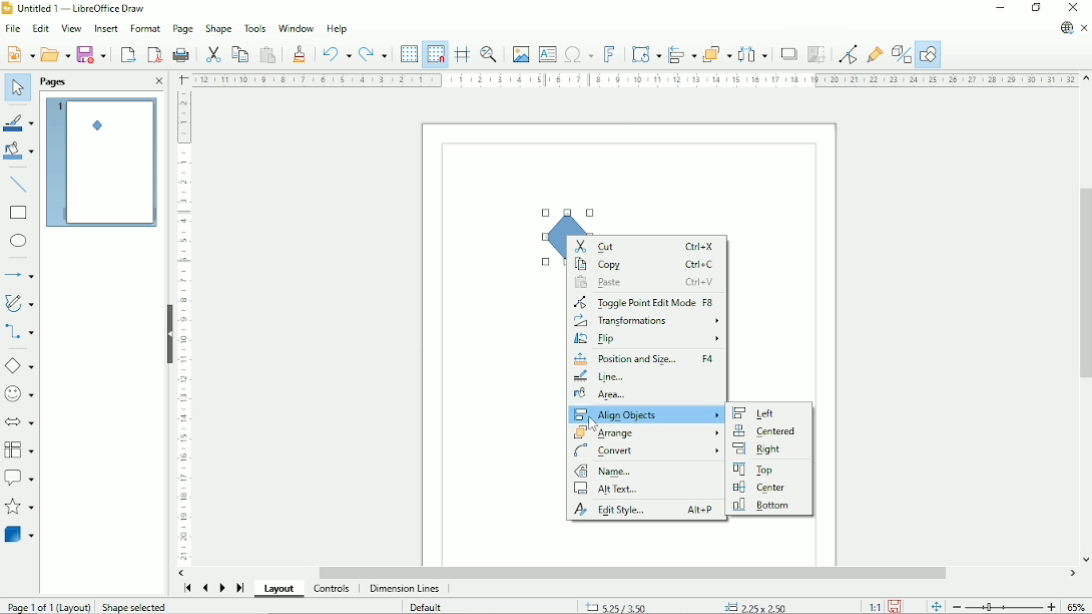  Describe the element at coordinates (152, 54) in the screenshot. I see `Export directly as PDF` at that location.